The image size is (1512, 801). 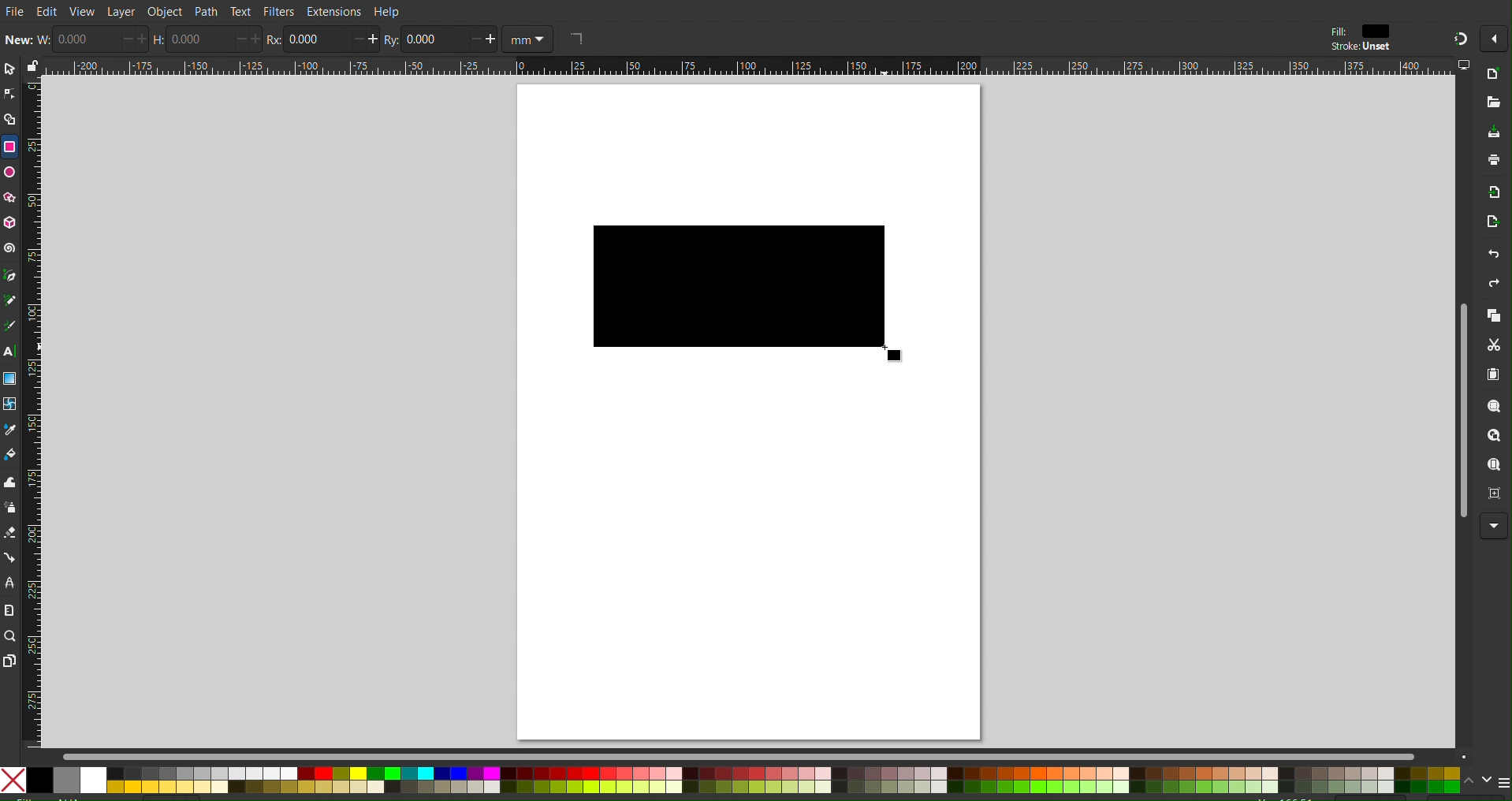 What do you see at coordinates (1496, 347) in the screenshot?
I see `Cut` at bounding box center [1496, 347].